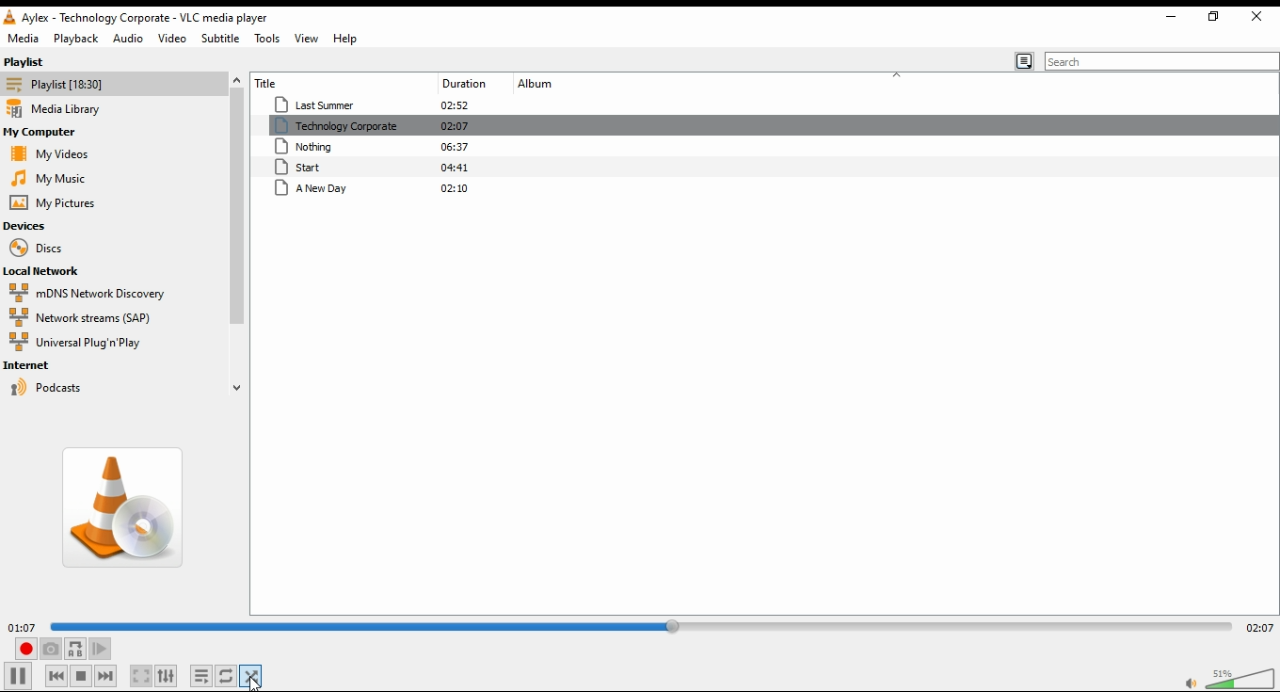  What do you see at coordinates (91, 341) in the screenshot?
I see `universal plug 'n play` at bounding box center [91, 341].